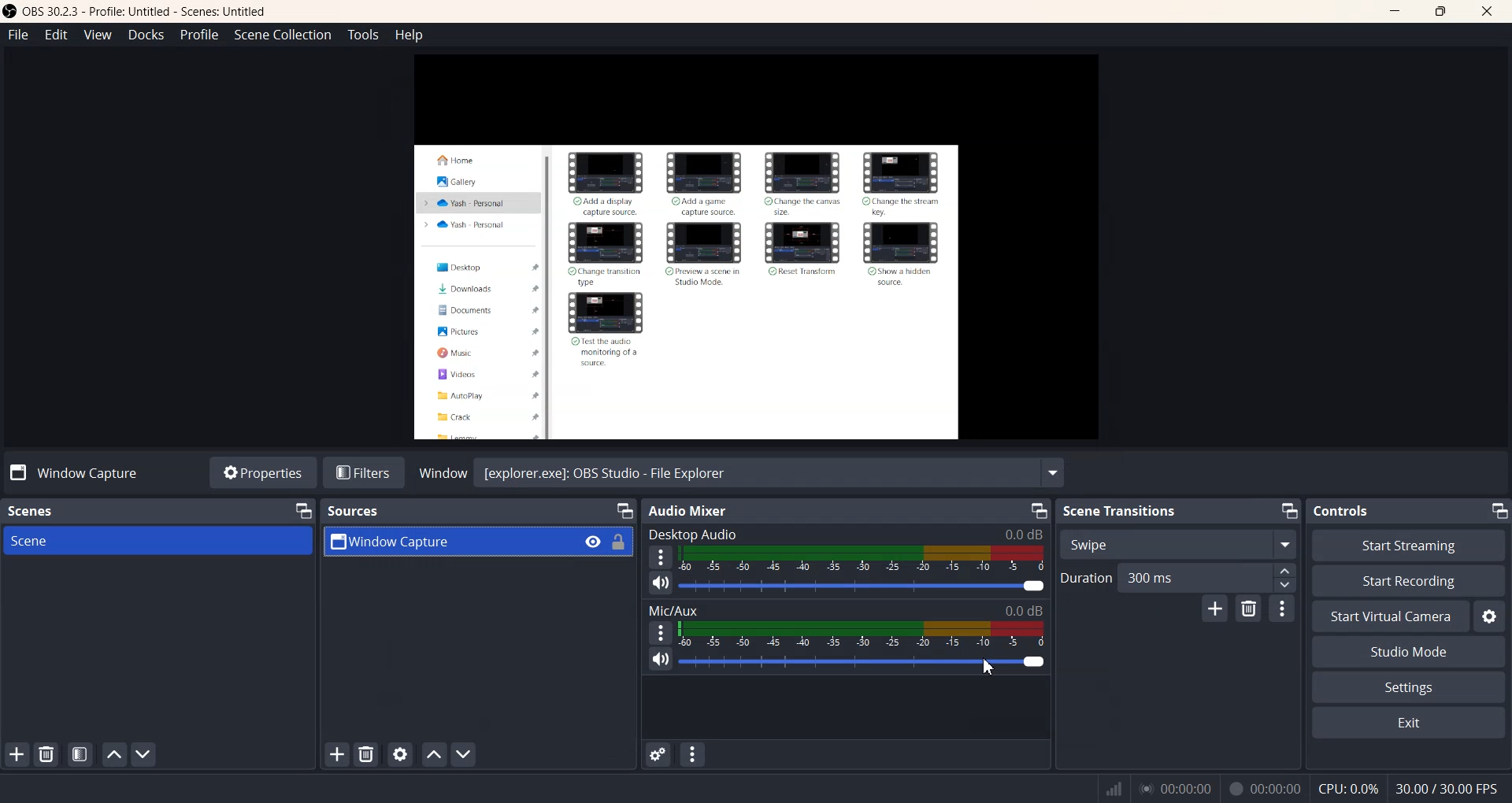  What do you see at coordinates (1447, 787) in the screenshot?
I see `30.00 / 30.00 FPS` at bounding box center [1447, 787].